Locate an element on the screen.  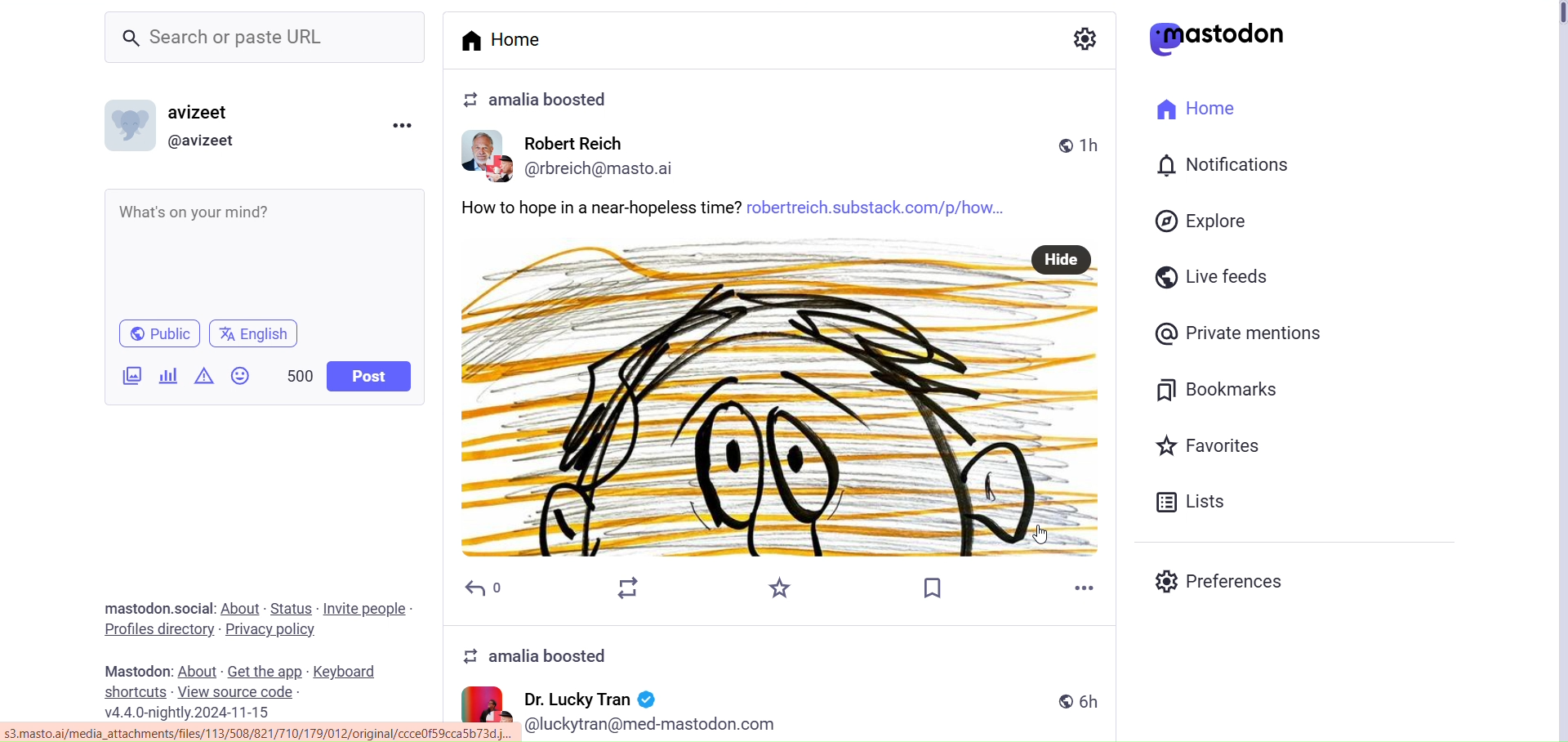
Word Limit is located at coordinates (301, 373).